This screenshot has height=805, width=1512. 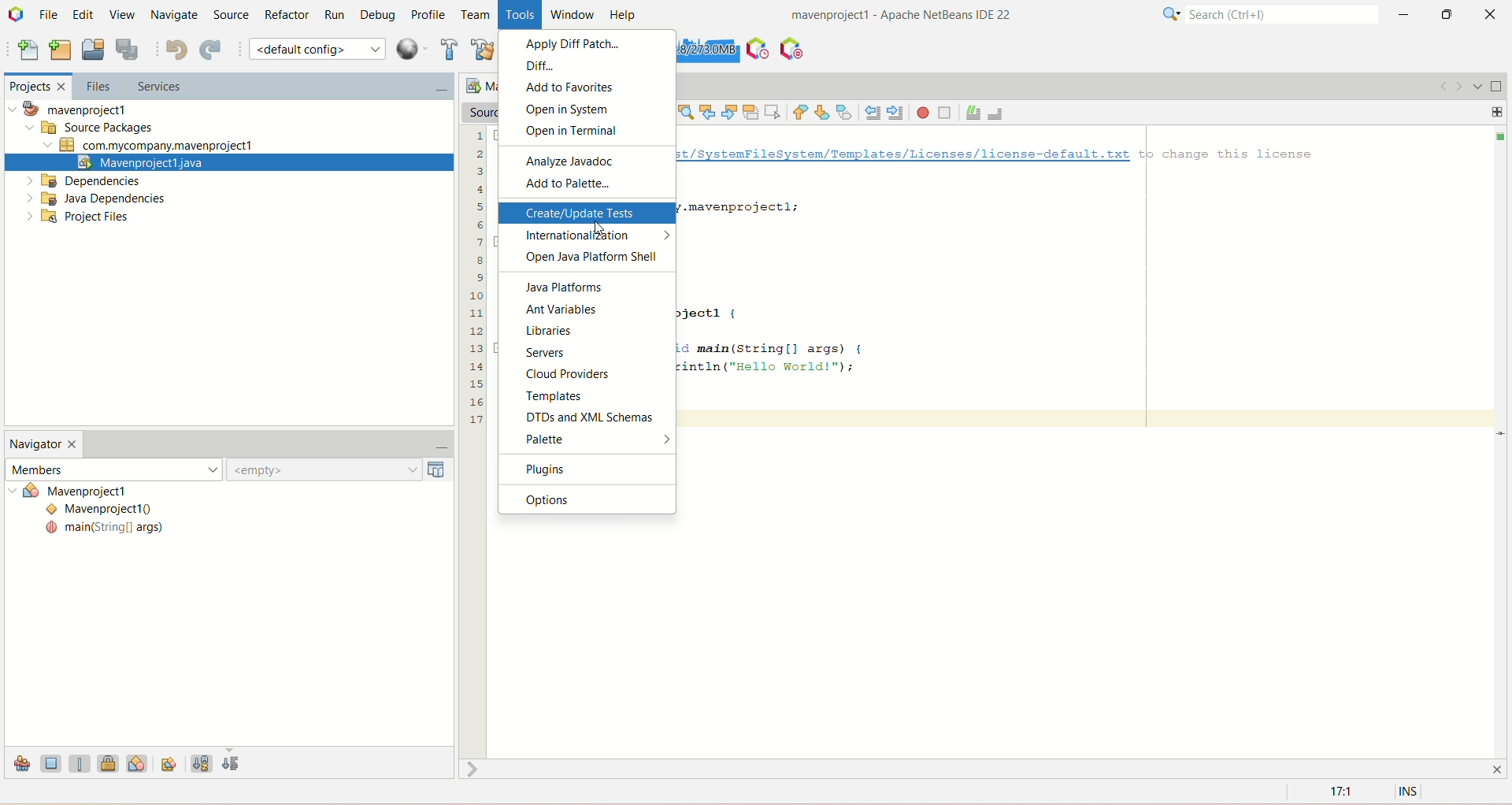 I want to click on show inherited members, so click(x=17, y=766).